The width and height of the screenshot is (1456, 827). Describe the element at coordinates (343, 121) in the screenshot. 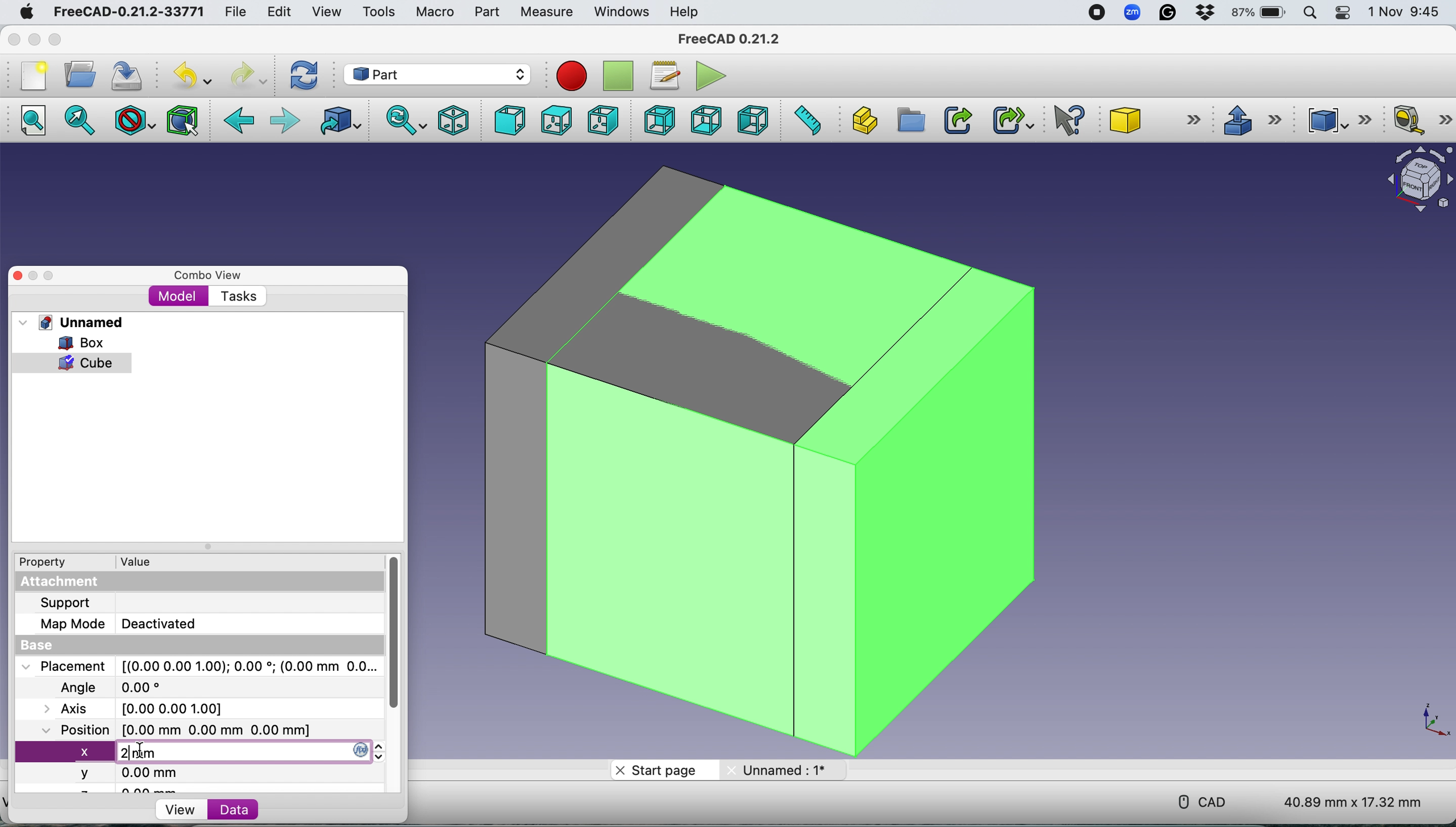

I see `Go to linked object` at that location.